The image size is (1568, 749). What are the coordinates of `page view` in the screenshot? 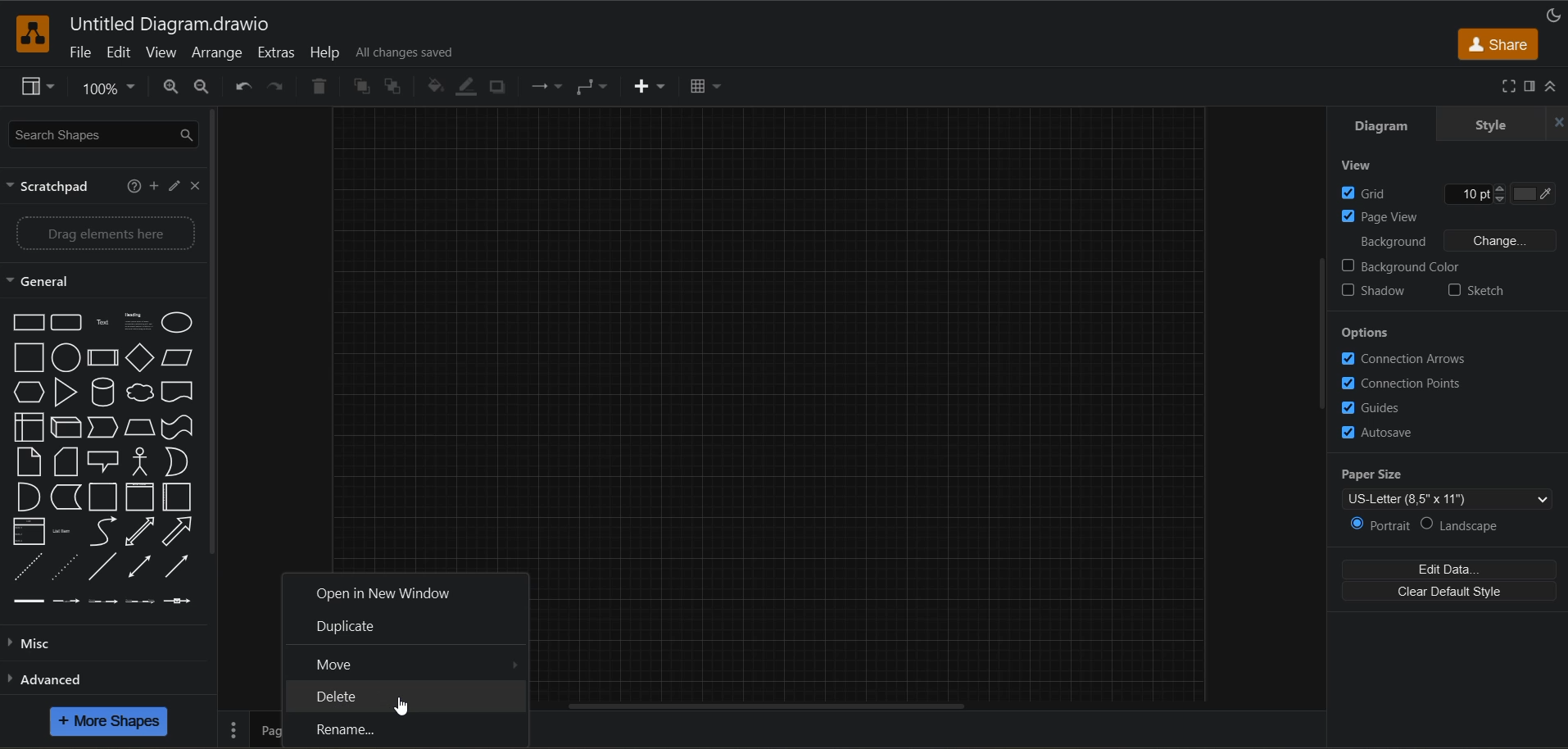 It's located at (1382, 216).